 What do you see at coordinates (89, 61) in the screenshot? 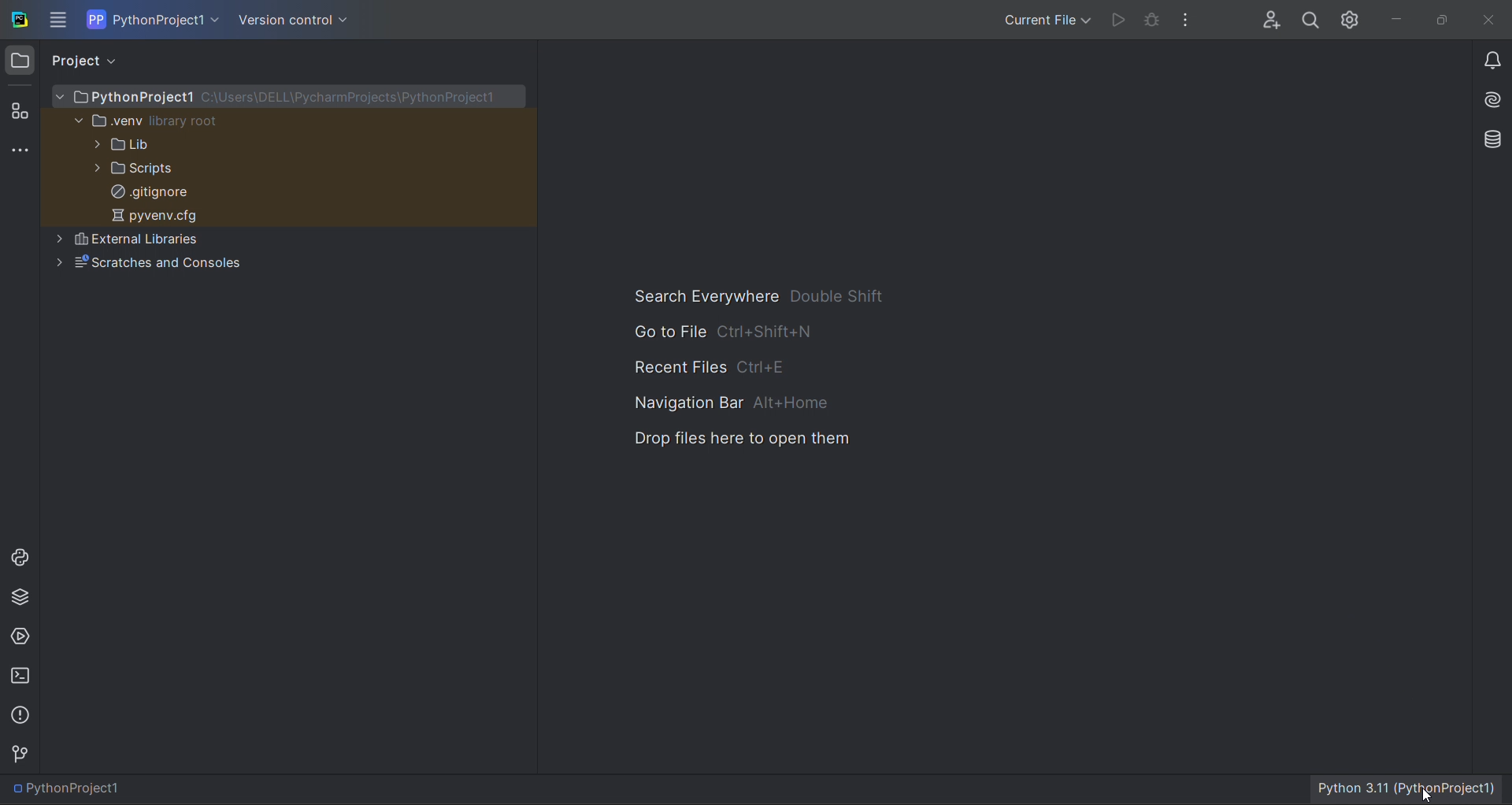
I see `project` at bounding box center [89, 61].